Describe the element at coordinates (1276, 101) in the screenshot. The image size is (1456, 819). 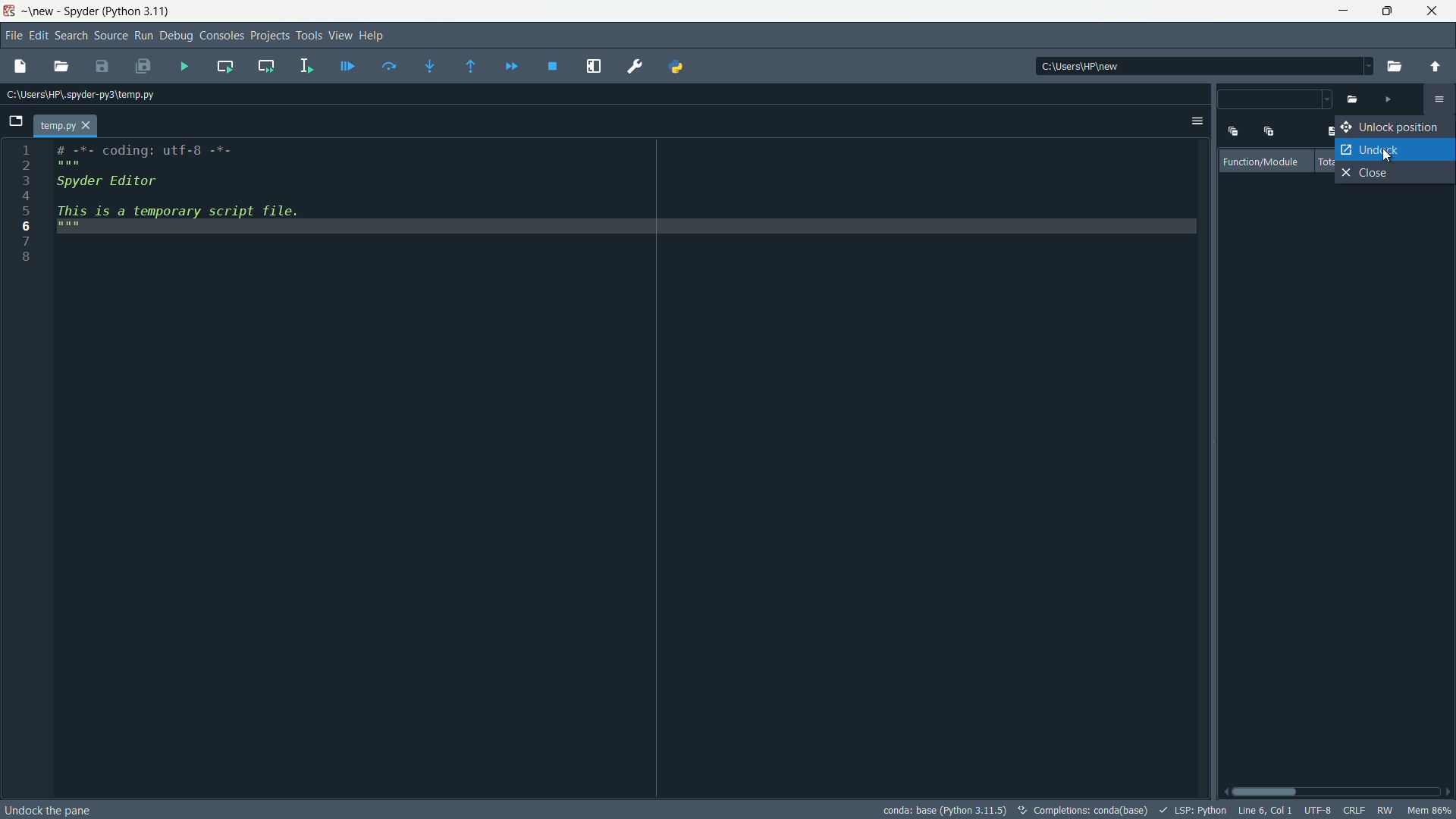
I see `dropdown` at that location.